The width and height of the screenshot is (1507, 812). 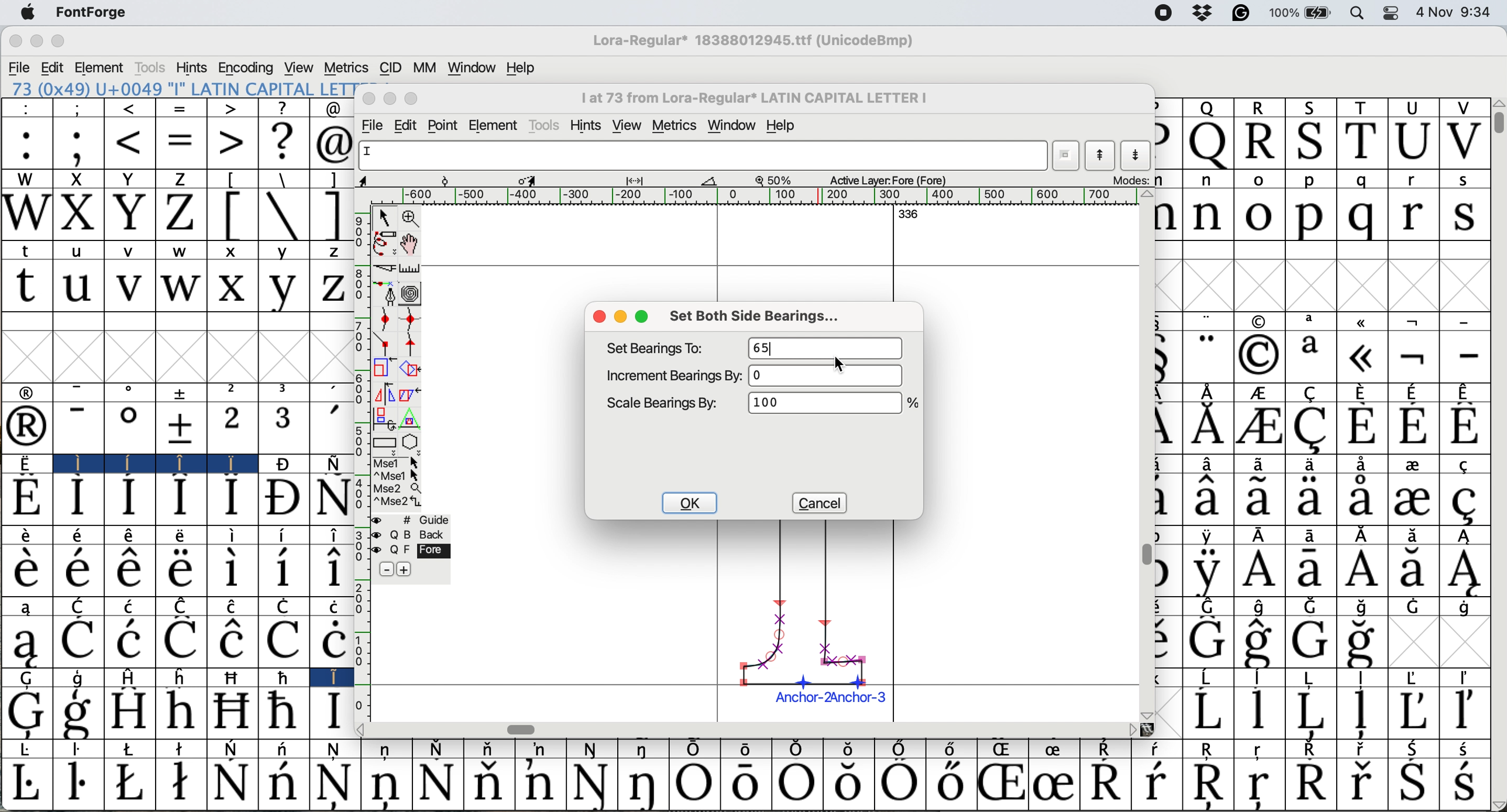 What do you see at coordinates (339, 750) in the screenshot?
I see `Symbol` at bounding box center [339, 750].